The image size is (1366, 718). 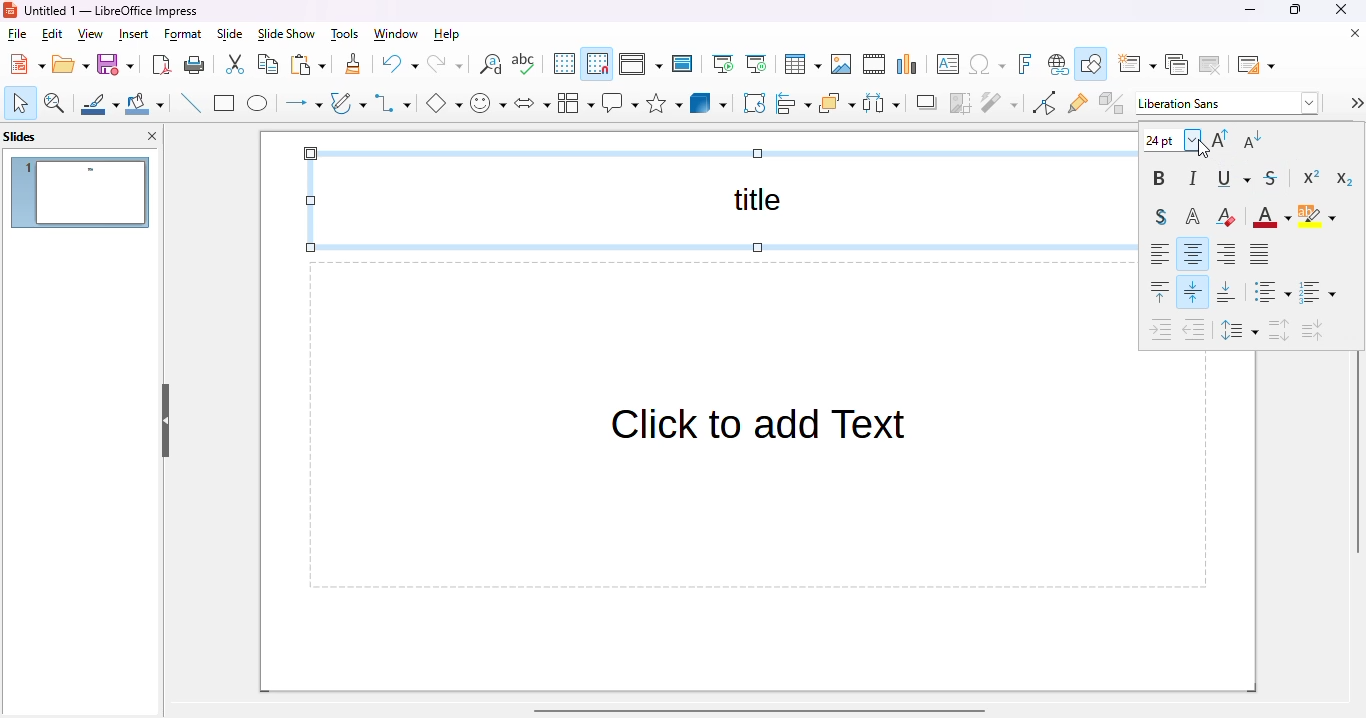 What do you see at coordinates (1026, 63) in the screenshot?
I see `insert fontwork text` at bounding box center [1026, 63].